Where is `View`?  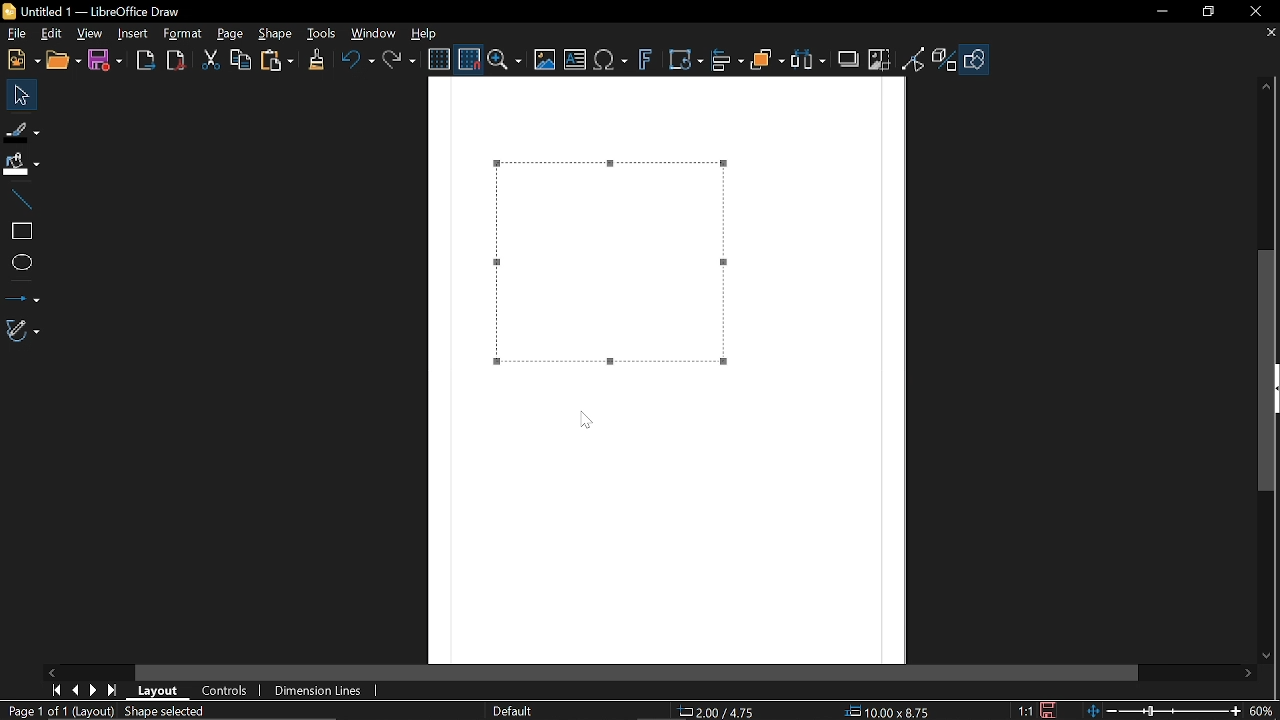 View is located at coordinates (90, 32).